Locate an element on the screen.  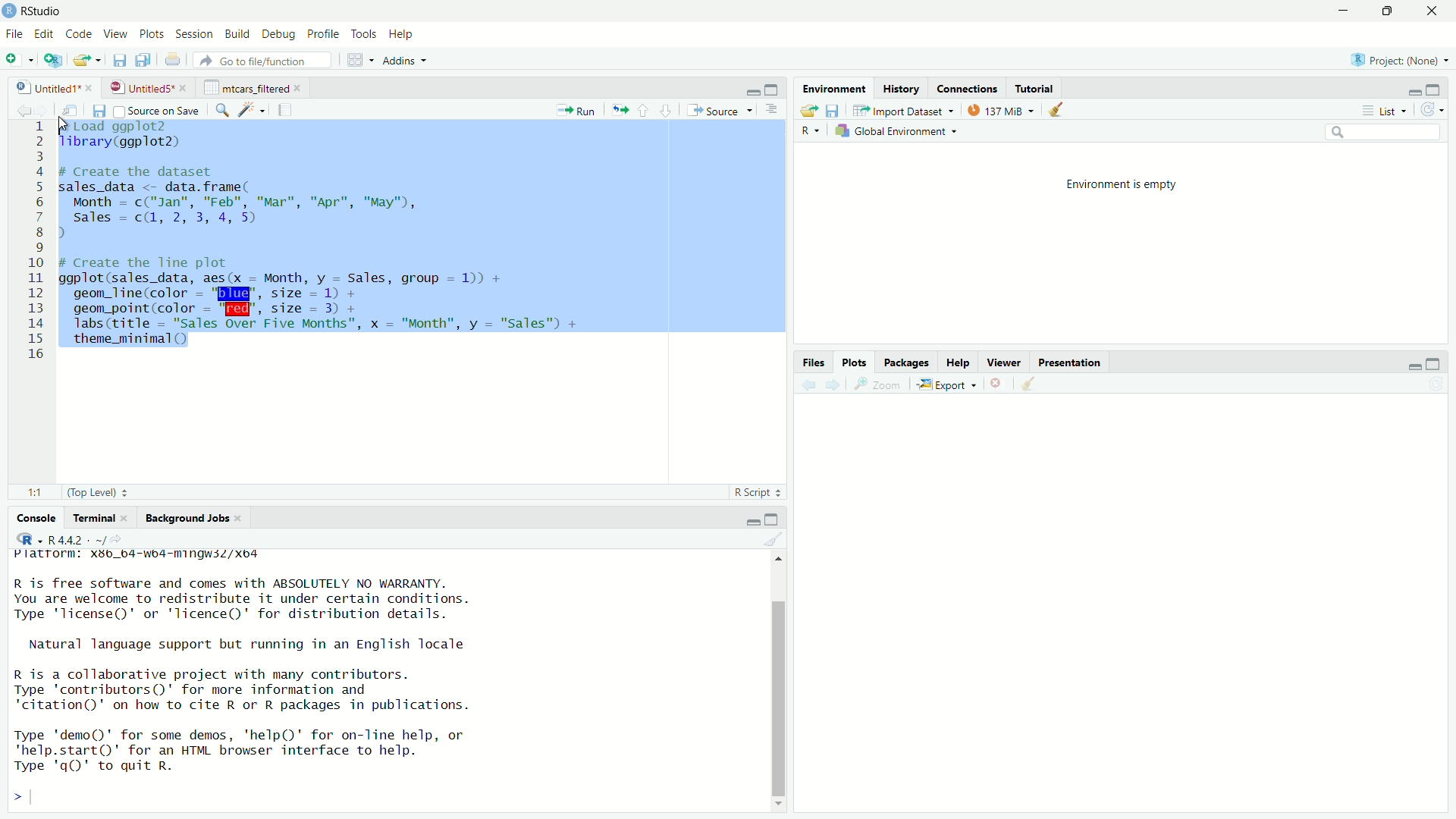
list is located at coordinates (1389, 109).